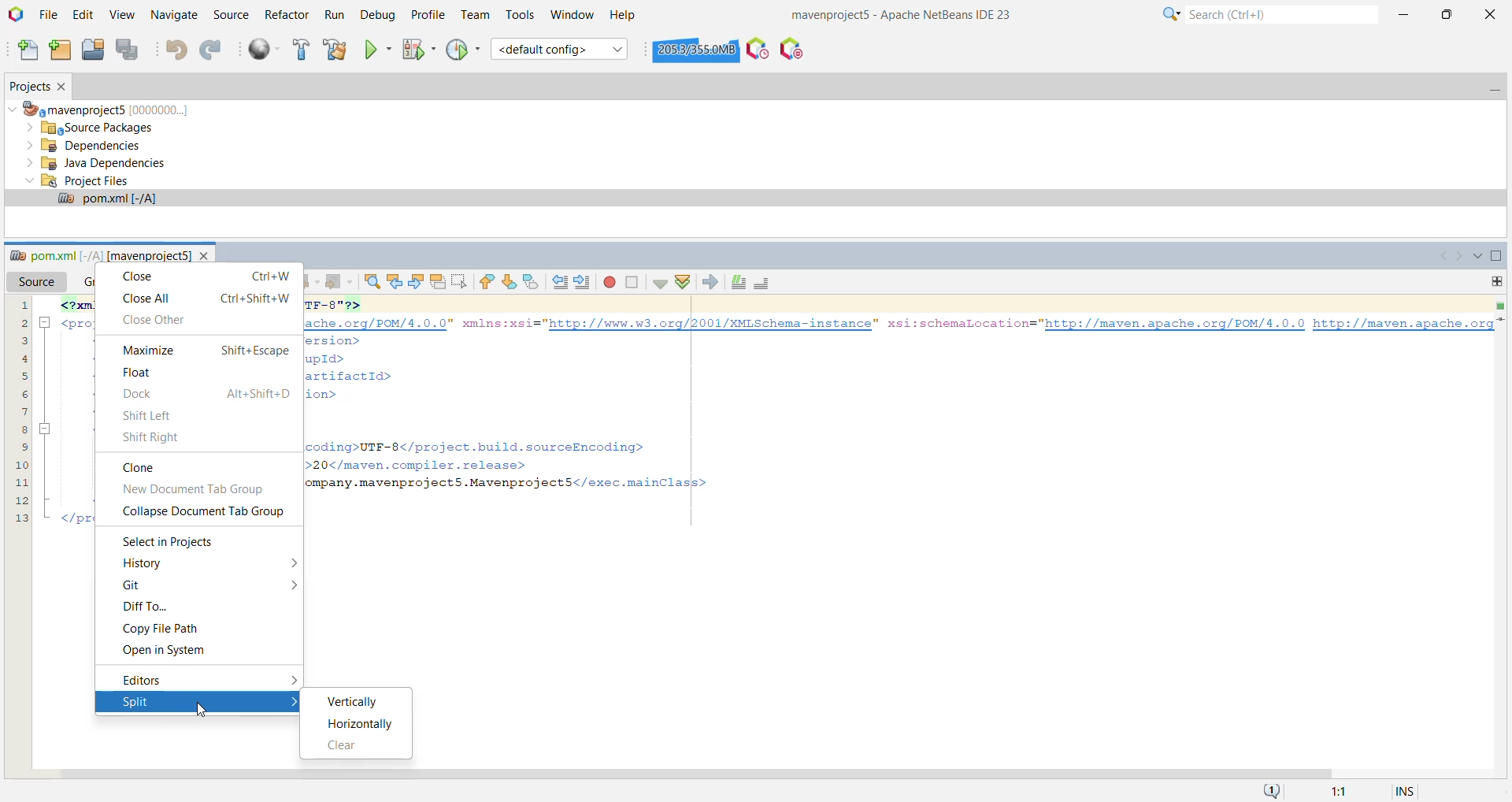  I want to click on Shift Line Right, so click(582, 283).